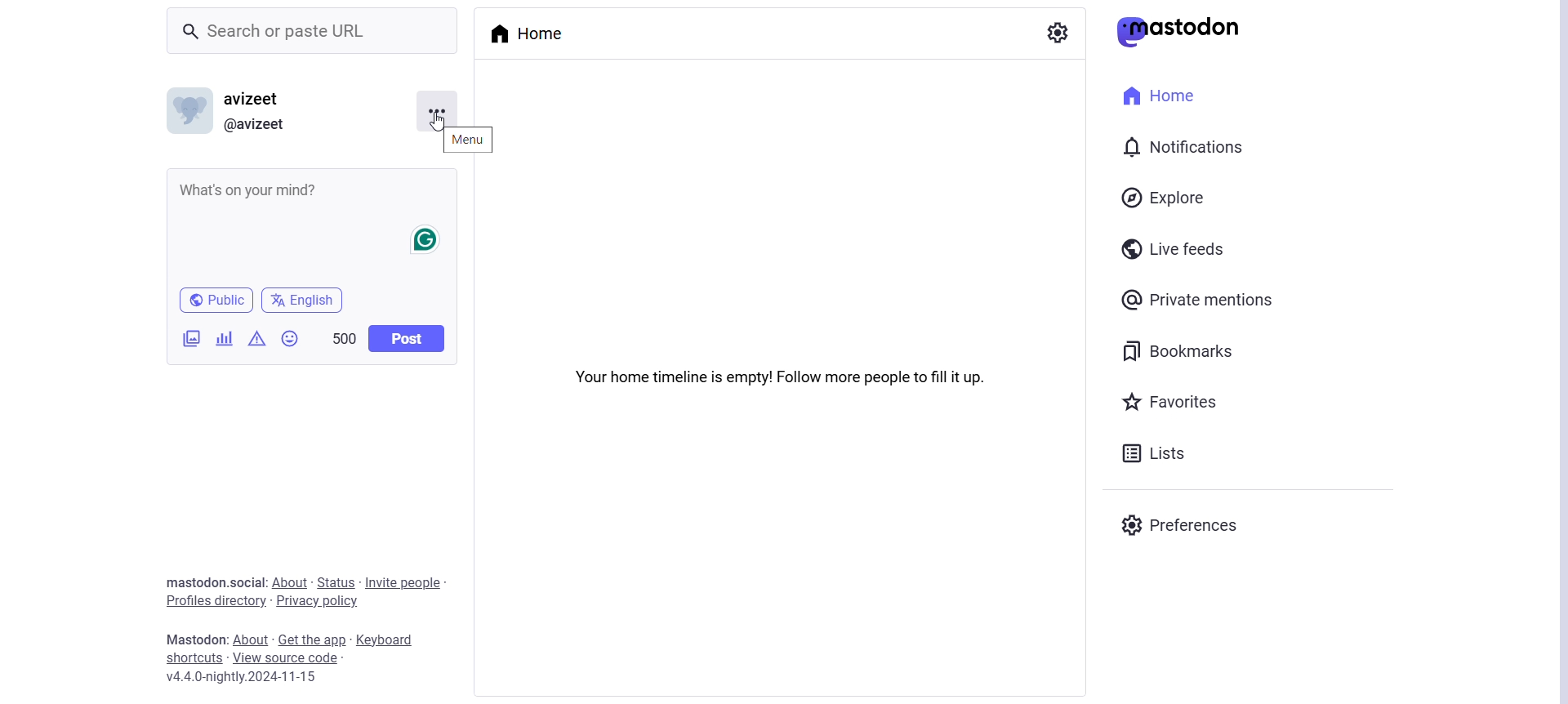 This screenshot has width=1568, height=704. Describe the element at coordinates (225, 336) in the screenshot. I see `Add a poll` at that location.